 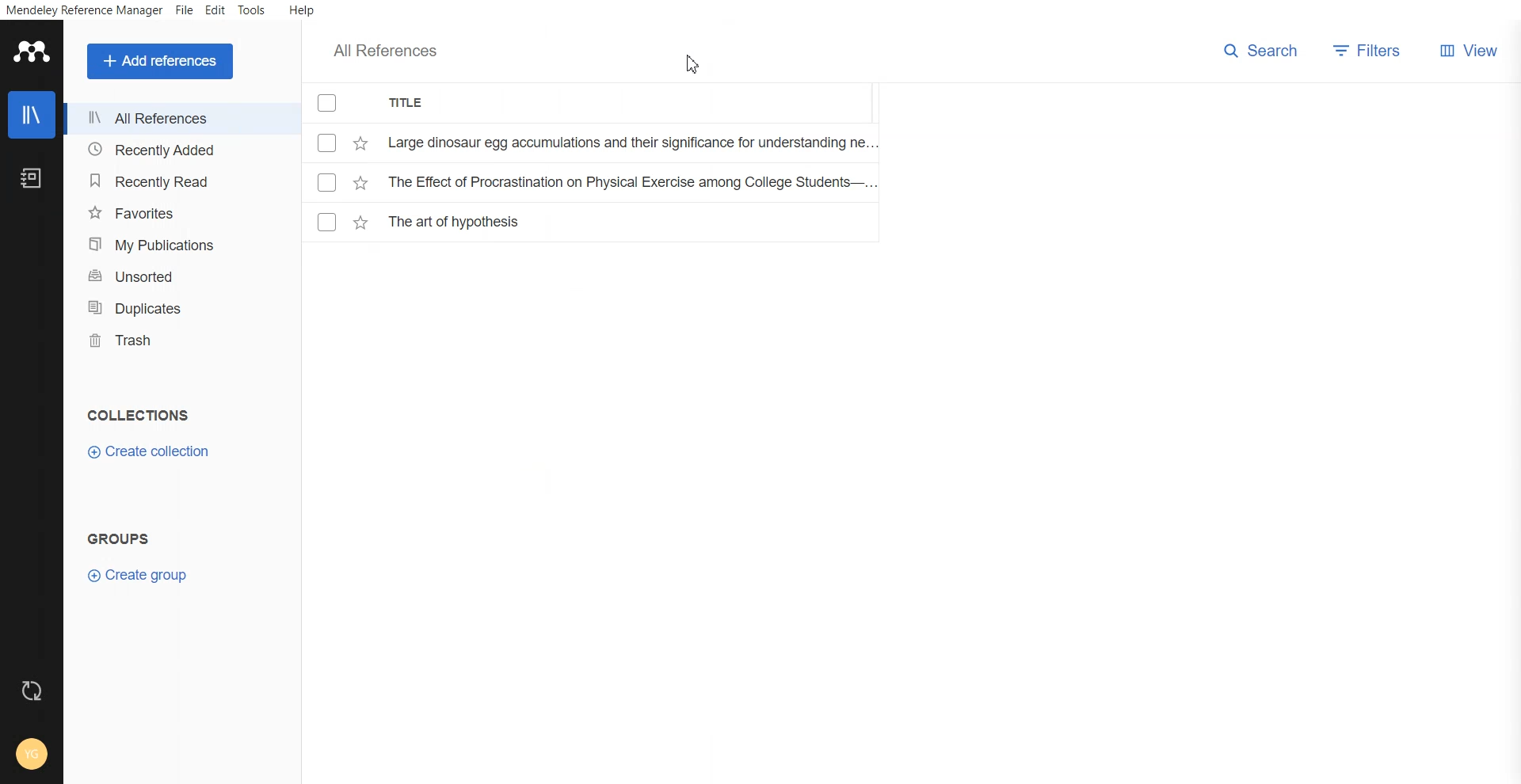 I want to click on Text, so click(x=137, y=416).